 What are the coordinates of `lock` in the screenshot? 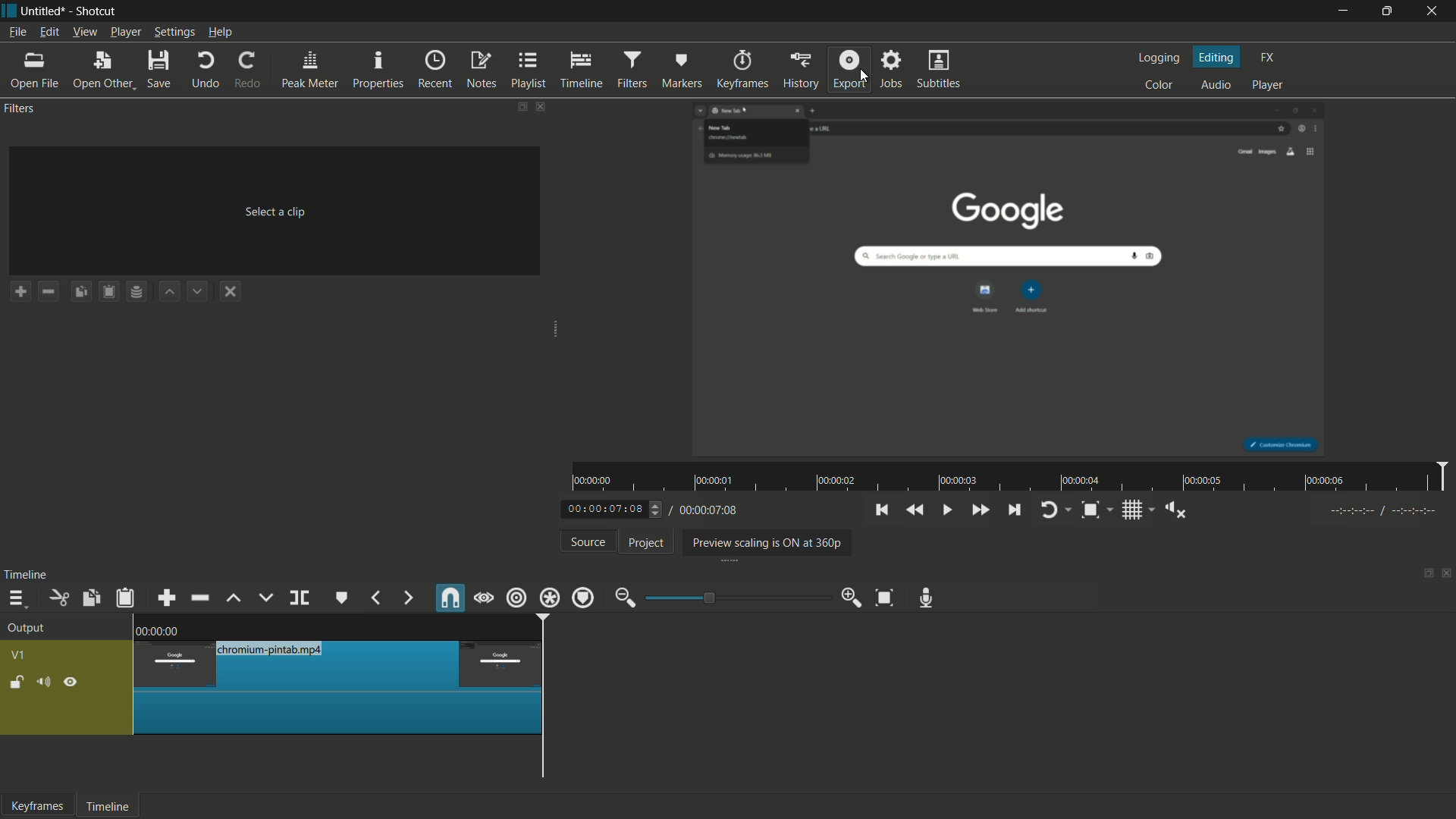 It's located at (17, 684).